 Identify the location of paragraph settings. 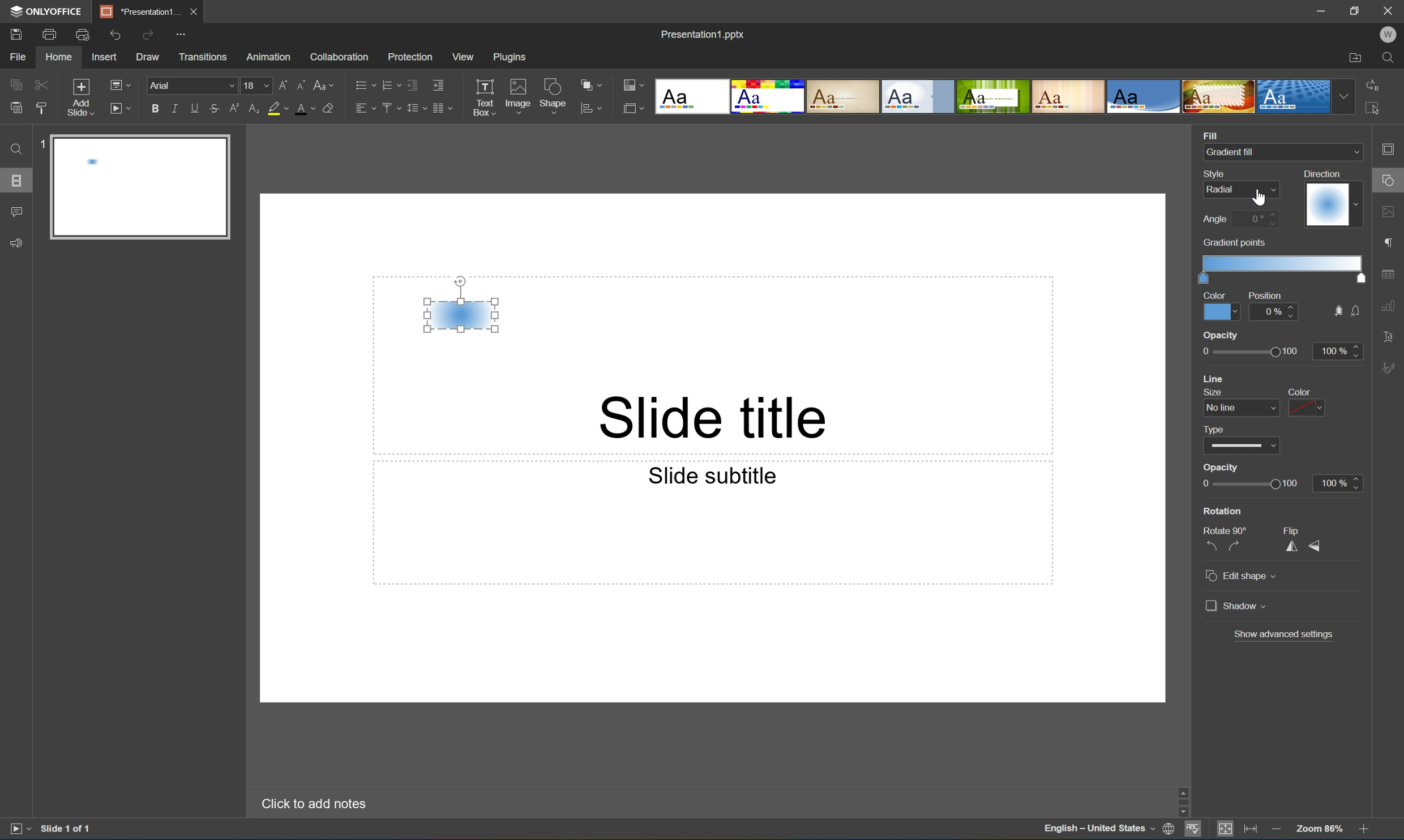
(1391, 241).